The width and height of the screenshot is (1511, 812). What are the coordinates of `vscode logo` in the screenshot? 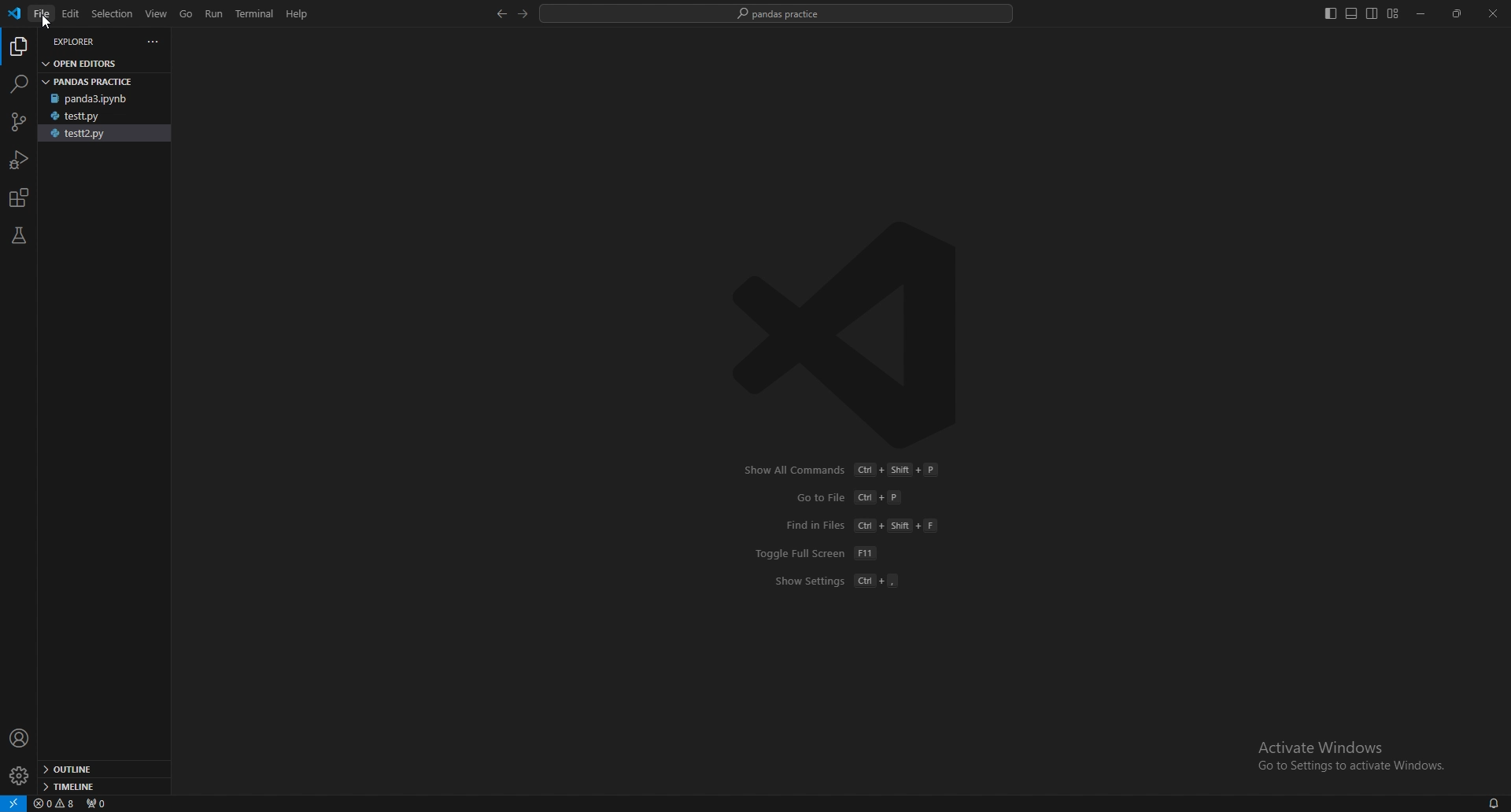 It's located at (14, 14).